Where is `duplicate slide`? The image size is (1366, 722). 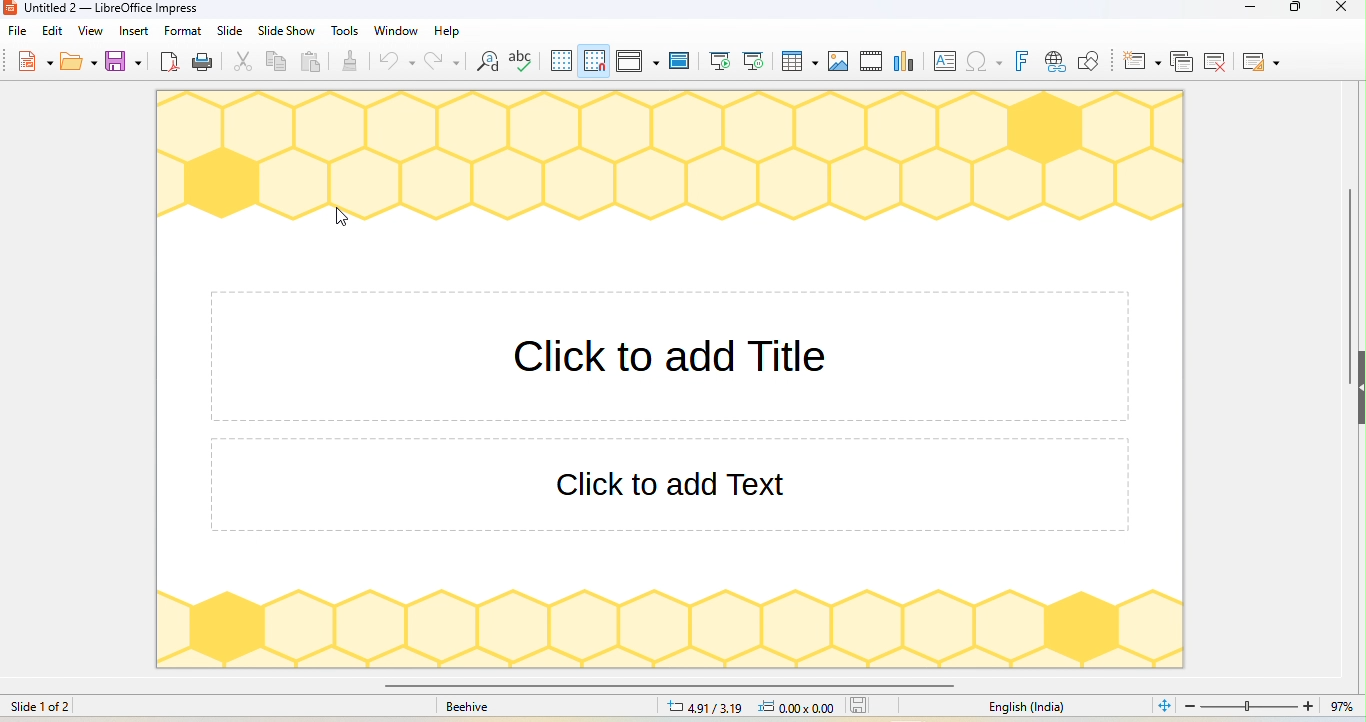 duplicate slide is located at coordinates (1183, 61).